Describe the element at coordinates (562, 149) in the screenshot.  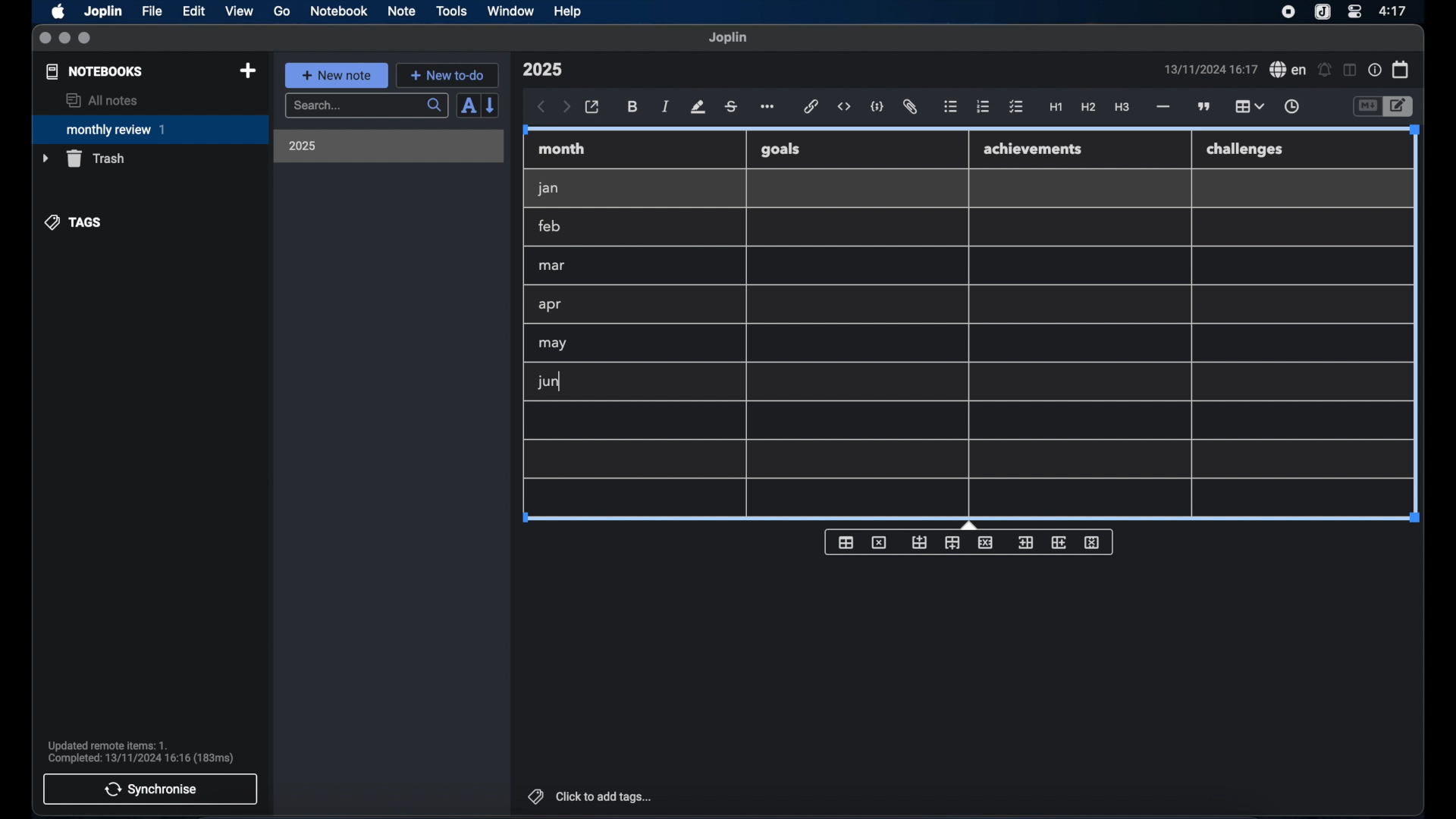
I see `month` at that location.